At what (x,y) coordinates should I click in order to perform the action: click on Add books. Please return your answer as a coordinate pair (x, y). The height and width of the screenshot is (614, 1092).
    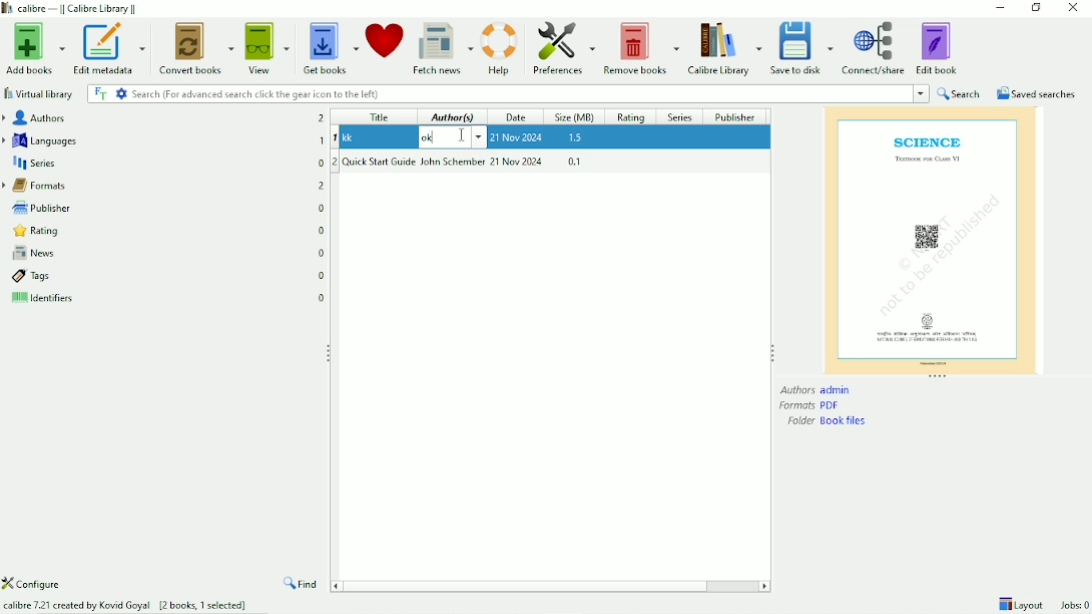
    Looking at the image, I should click on (33, 50).